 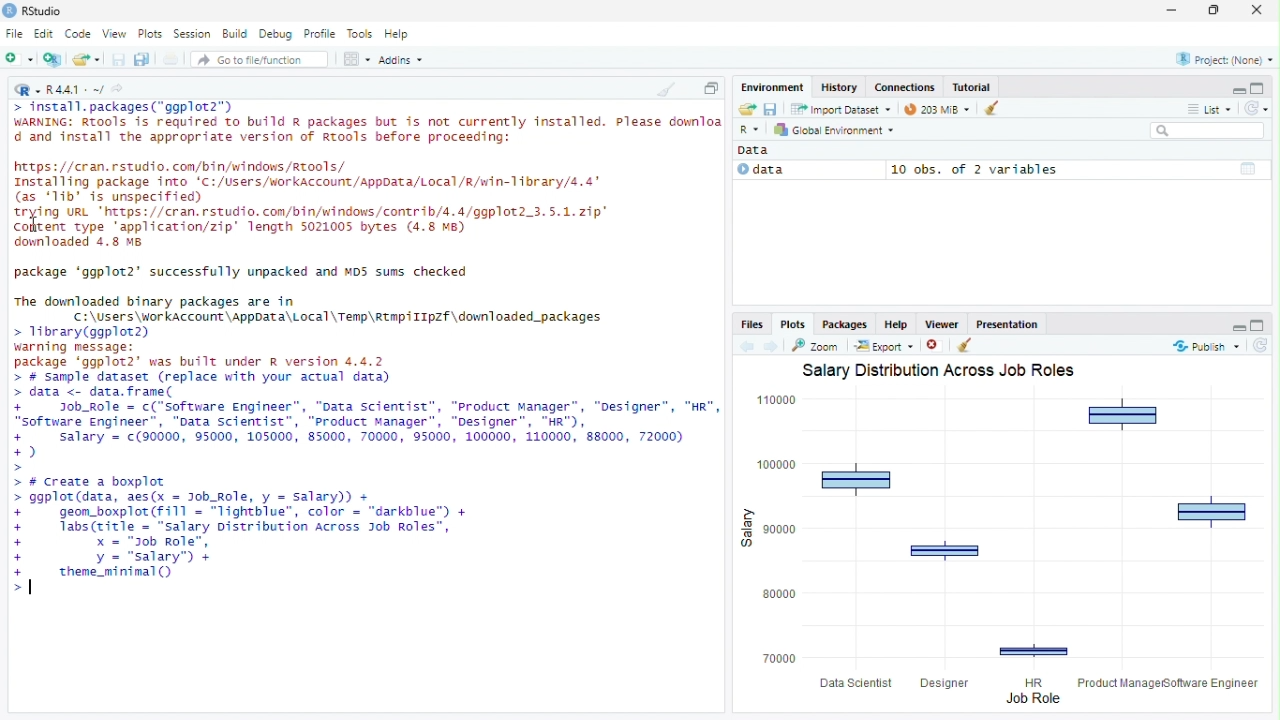 I want to click on workspace panes, so click(x=357, y=59).